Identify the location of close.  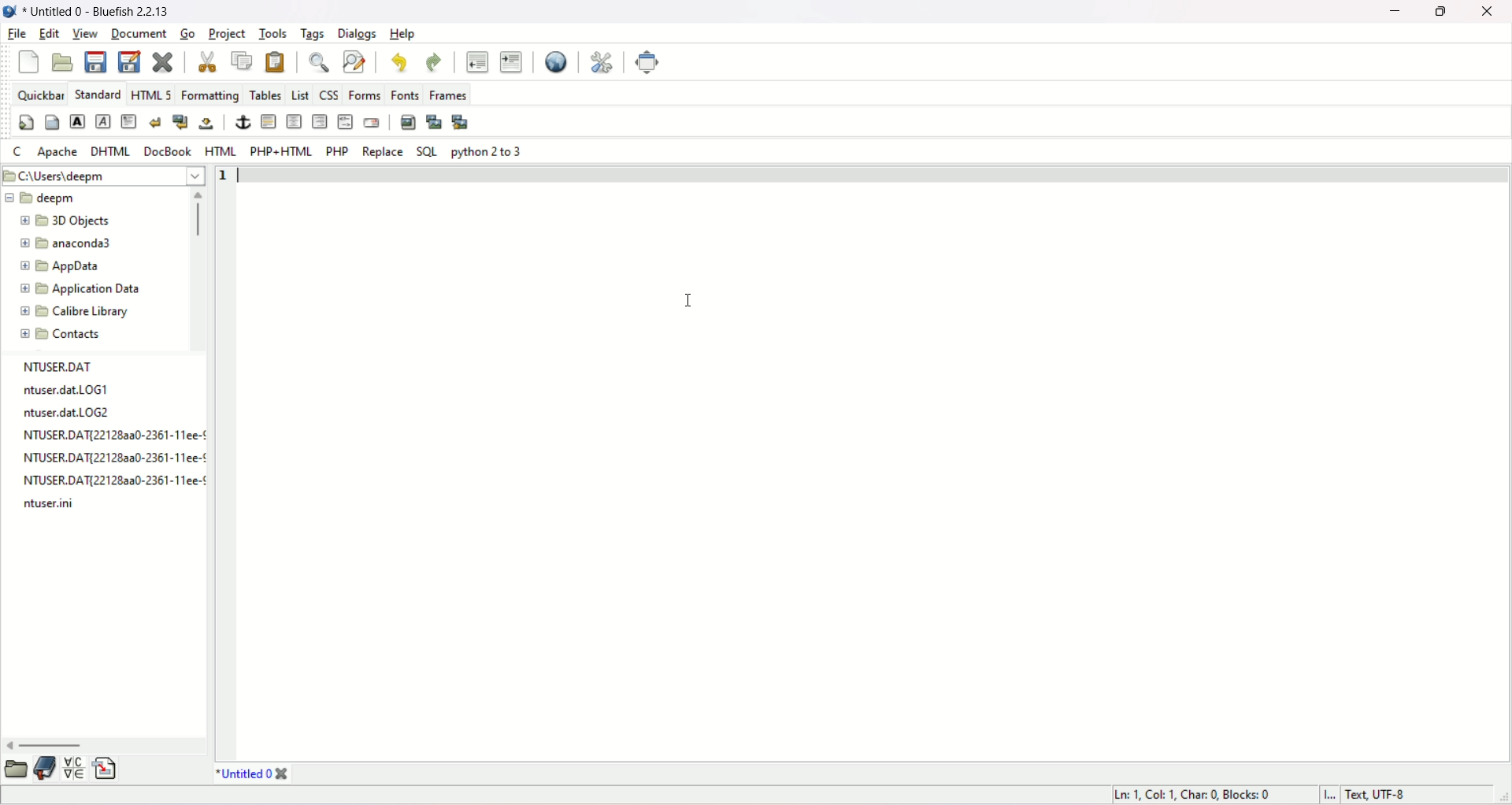
(164, 61).